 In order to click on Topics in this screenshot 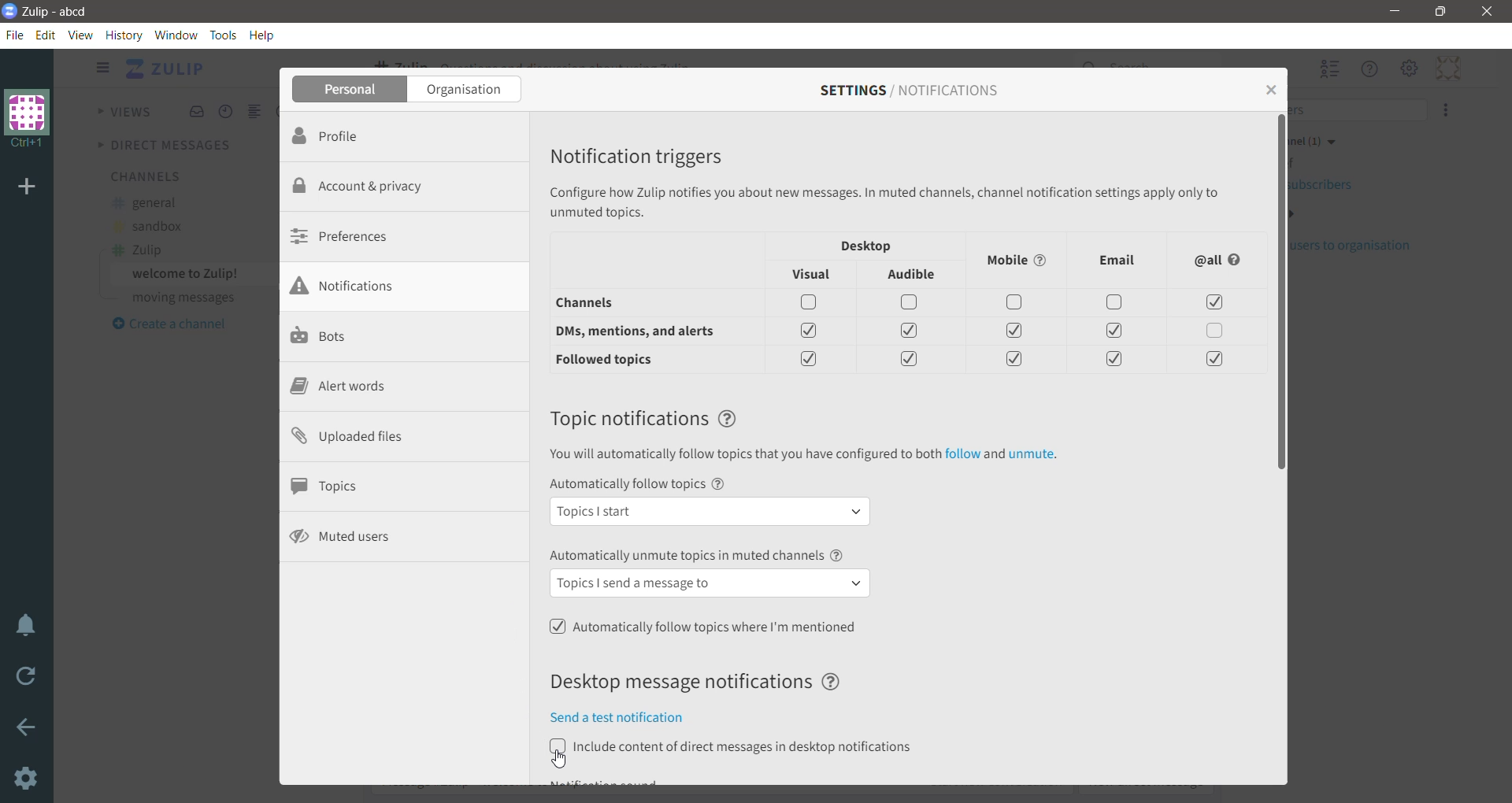, I will do `click(332, 486)`.